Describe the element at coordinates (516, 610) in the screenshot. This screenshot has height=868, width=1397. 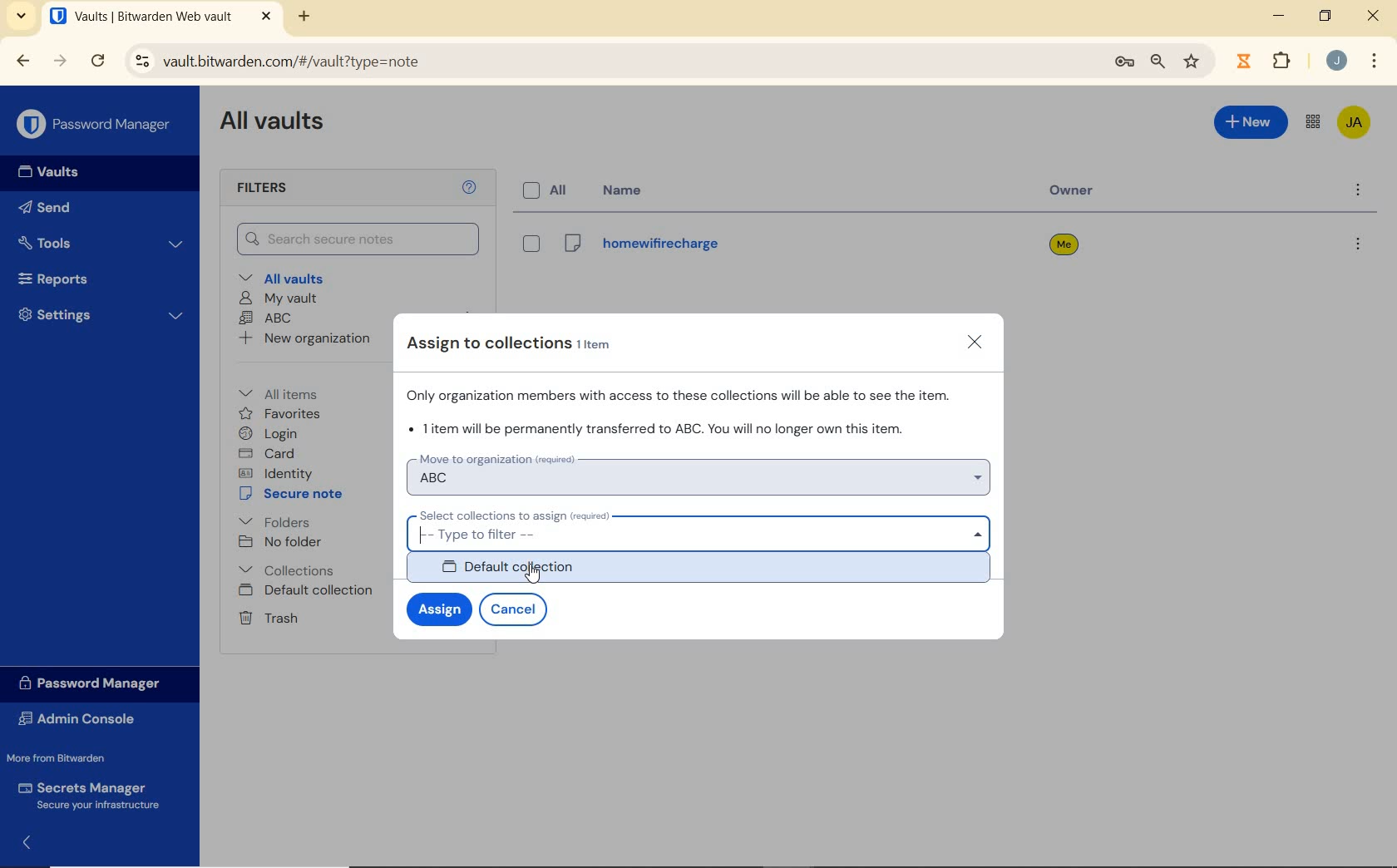
I see `cancel` at that location.